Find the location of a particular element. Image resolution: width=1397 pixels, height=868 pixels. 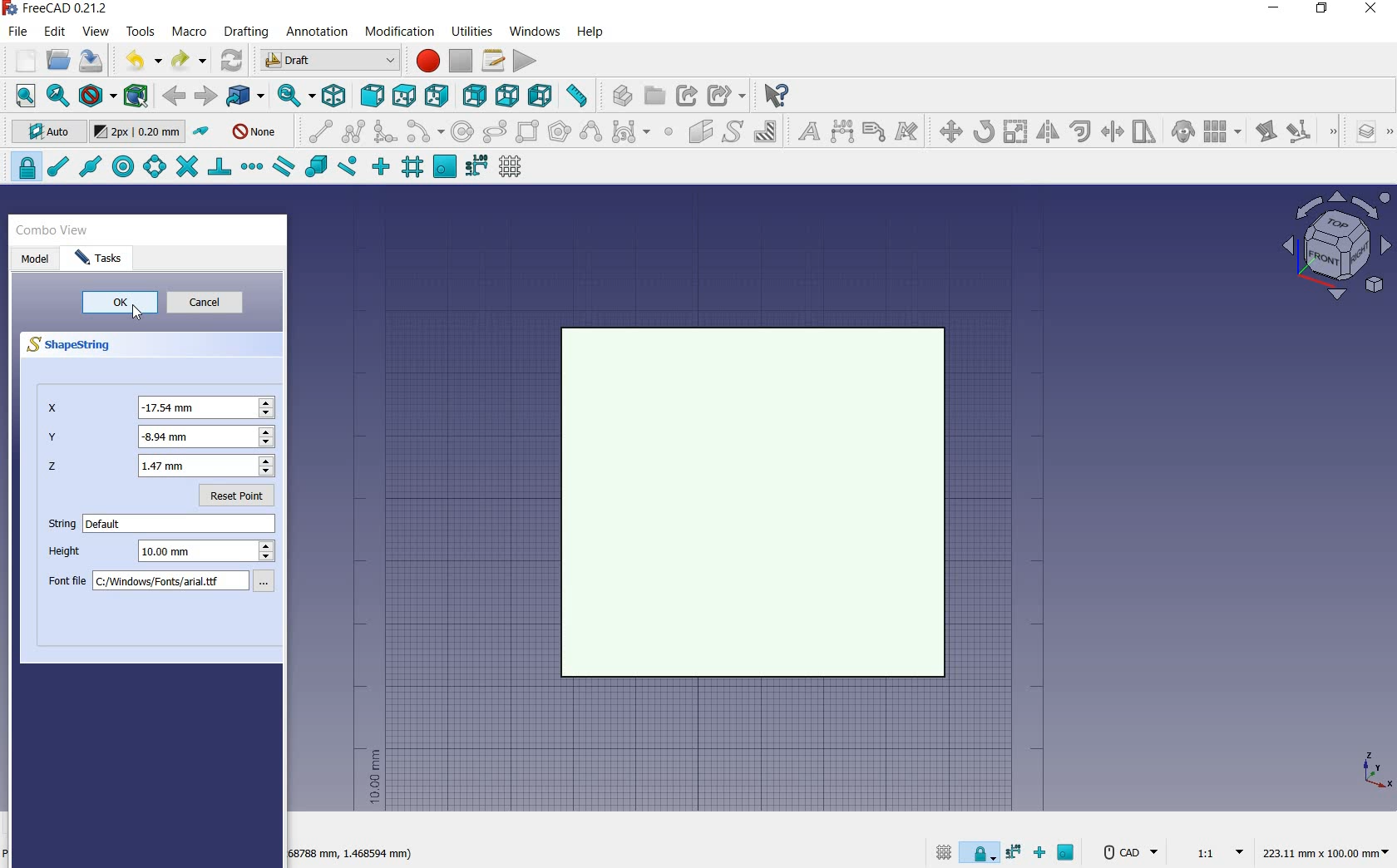

snap near is located at coordinates (345, 168).